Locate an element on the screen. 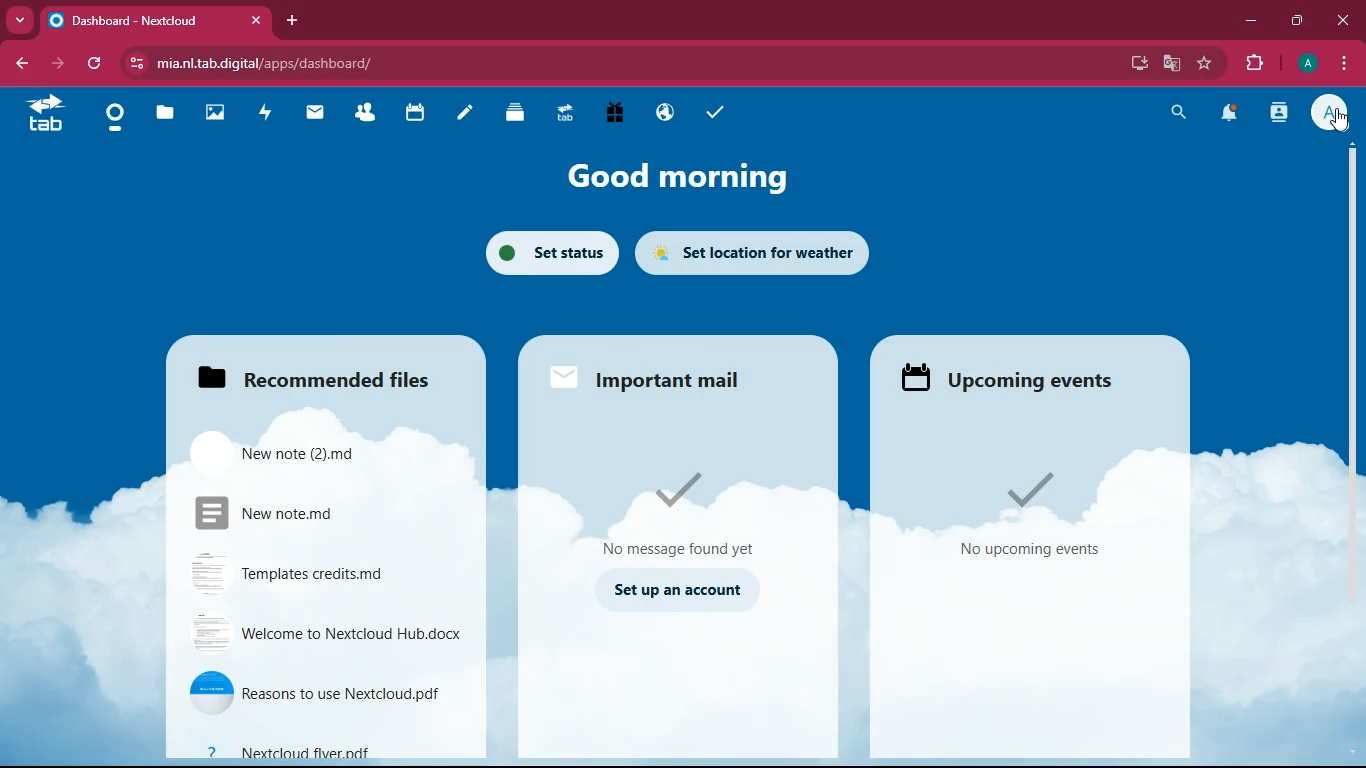 Image resolution: width=1366 pixels, height=768 pixels. file is located at coordinates (311, 691).